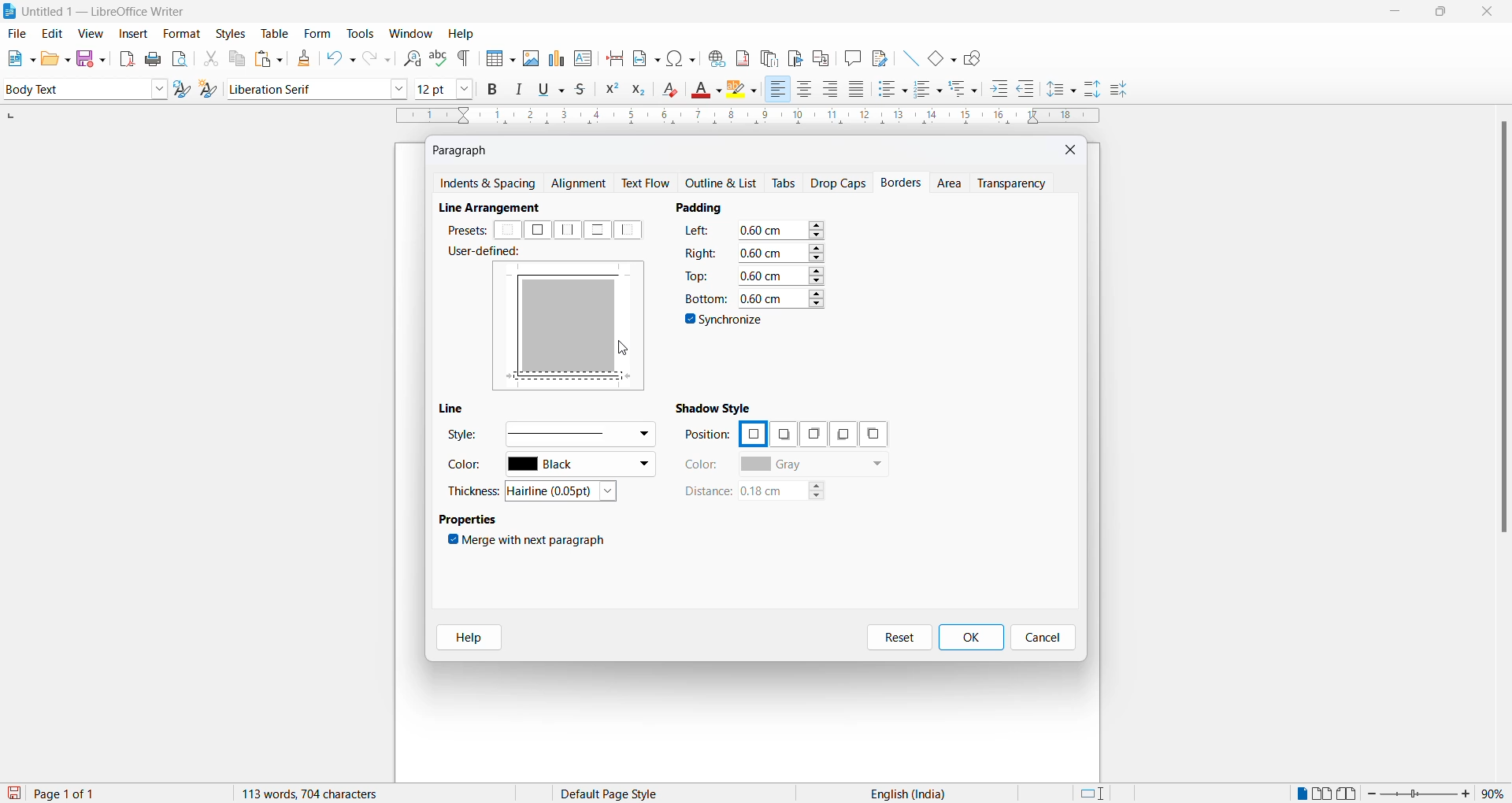  Describe the element at coordinates (537, 230) in the screenshot. I see `all sides` at that location.